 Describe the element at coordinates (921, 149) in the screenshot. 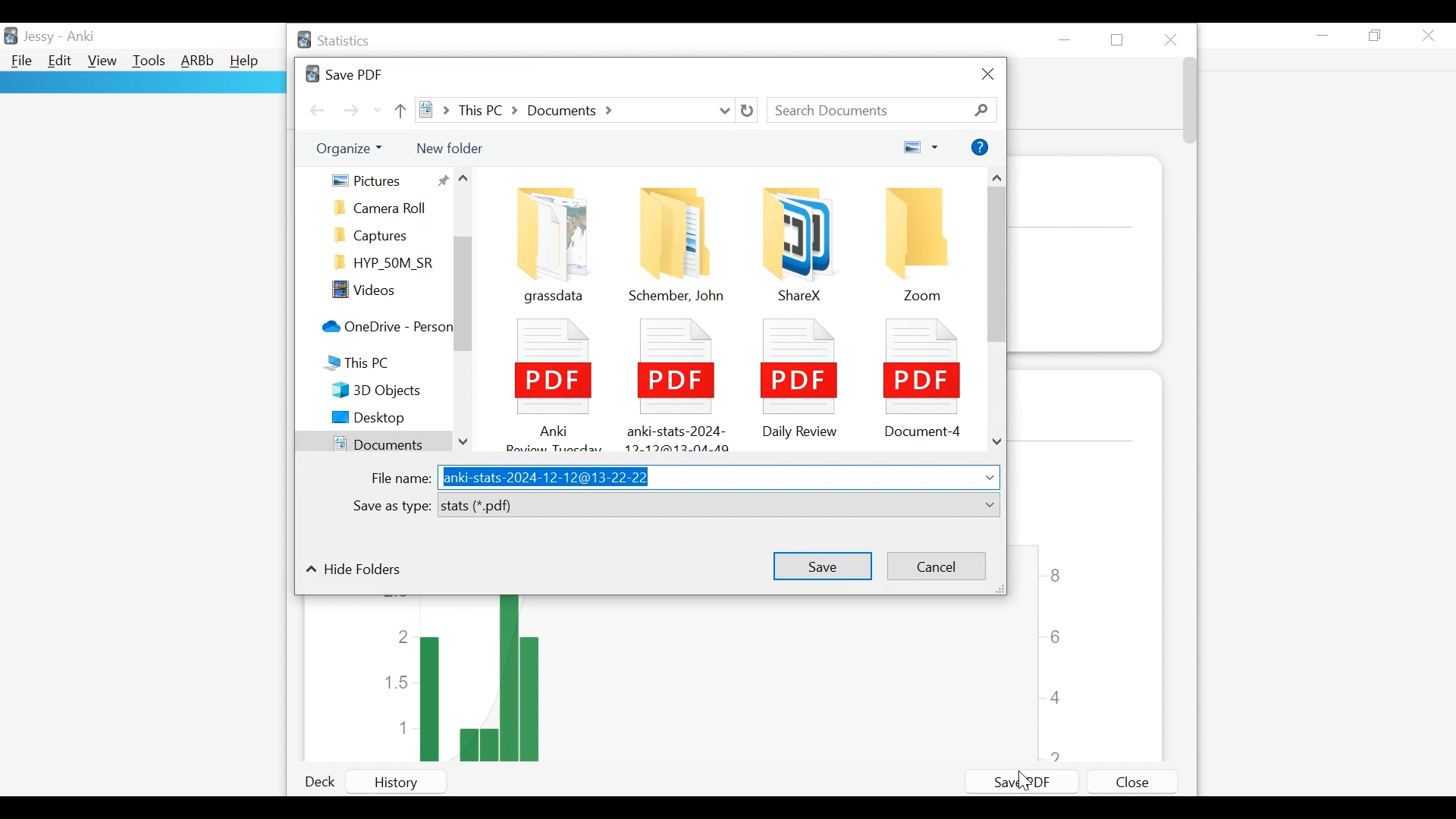

I see `Show your view as` at that location.